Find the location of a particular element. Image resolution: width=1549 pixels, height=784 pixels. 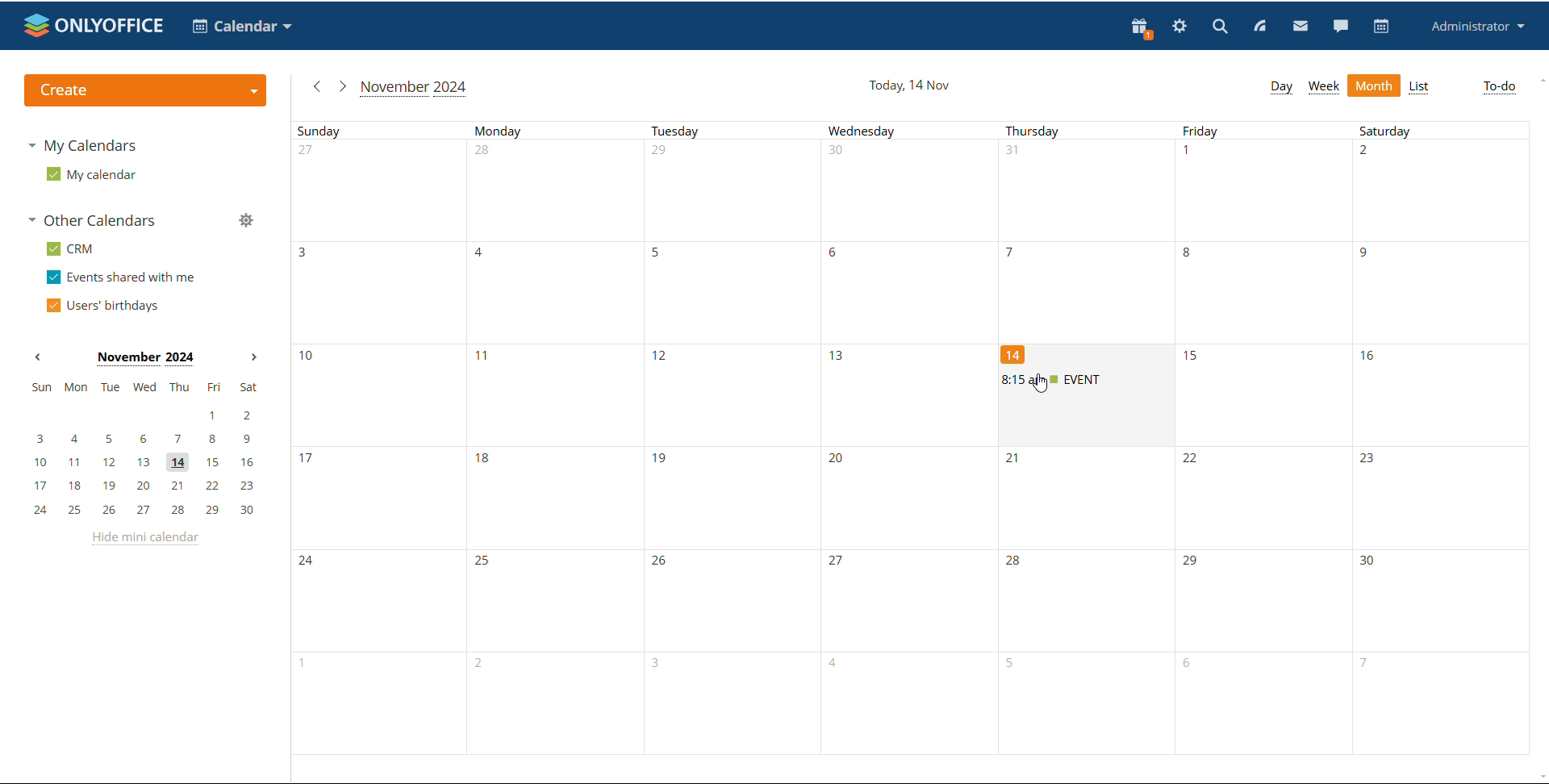

day view is located at coordinates (1281, 88).